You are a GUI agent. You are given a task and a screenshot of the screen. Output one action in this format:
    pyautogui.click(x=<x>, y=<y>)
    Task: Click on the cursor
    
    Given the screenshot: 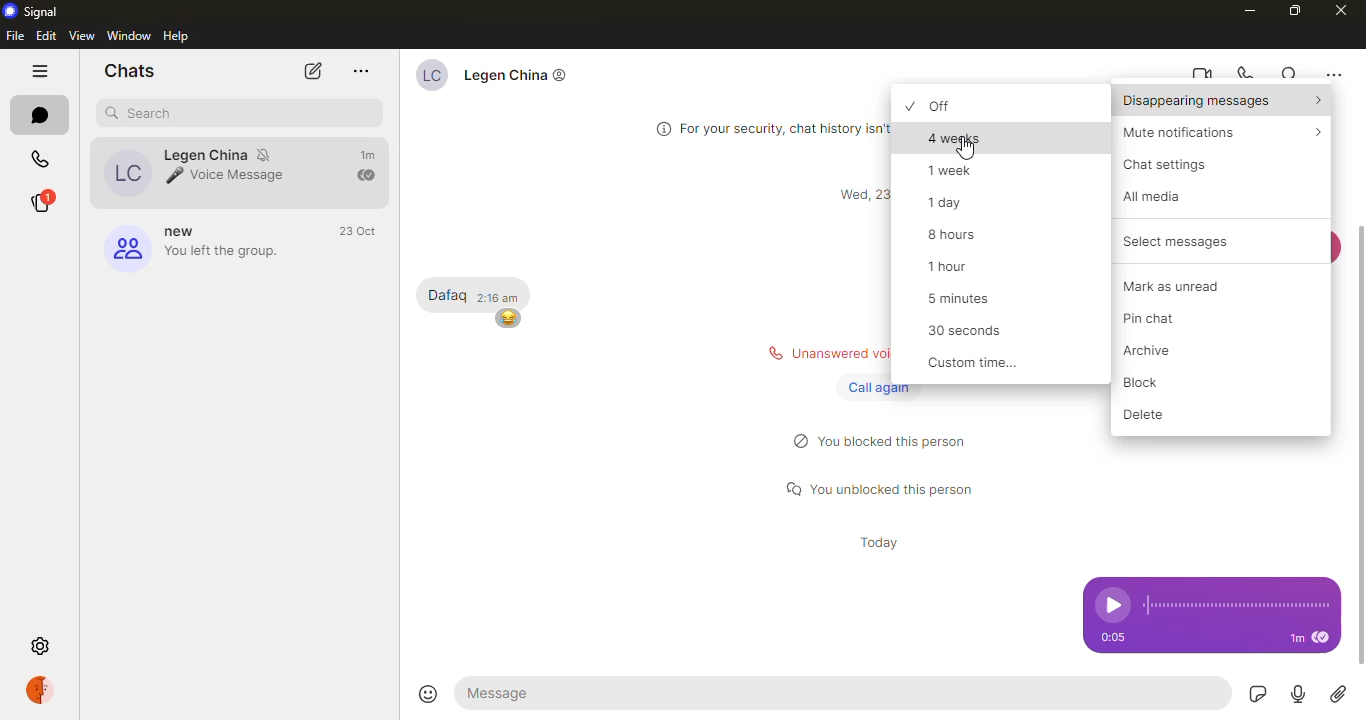 What is the action you would take?
    pyautogui.click(x=965, y=151)
    